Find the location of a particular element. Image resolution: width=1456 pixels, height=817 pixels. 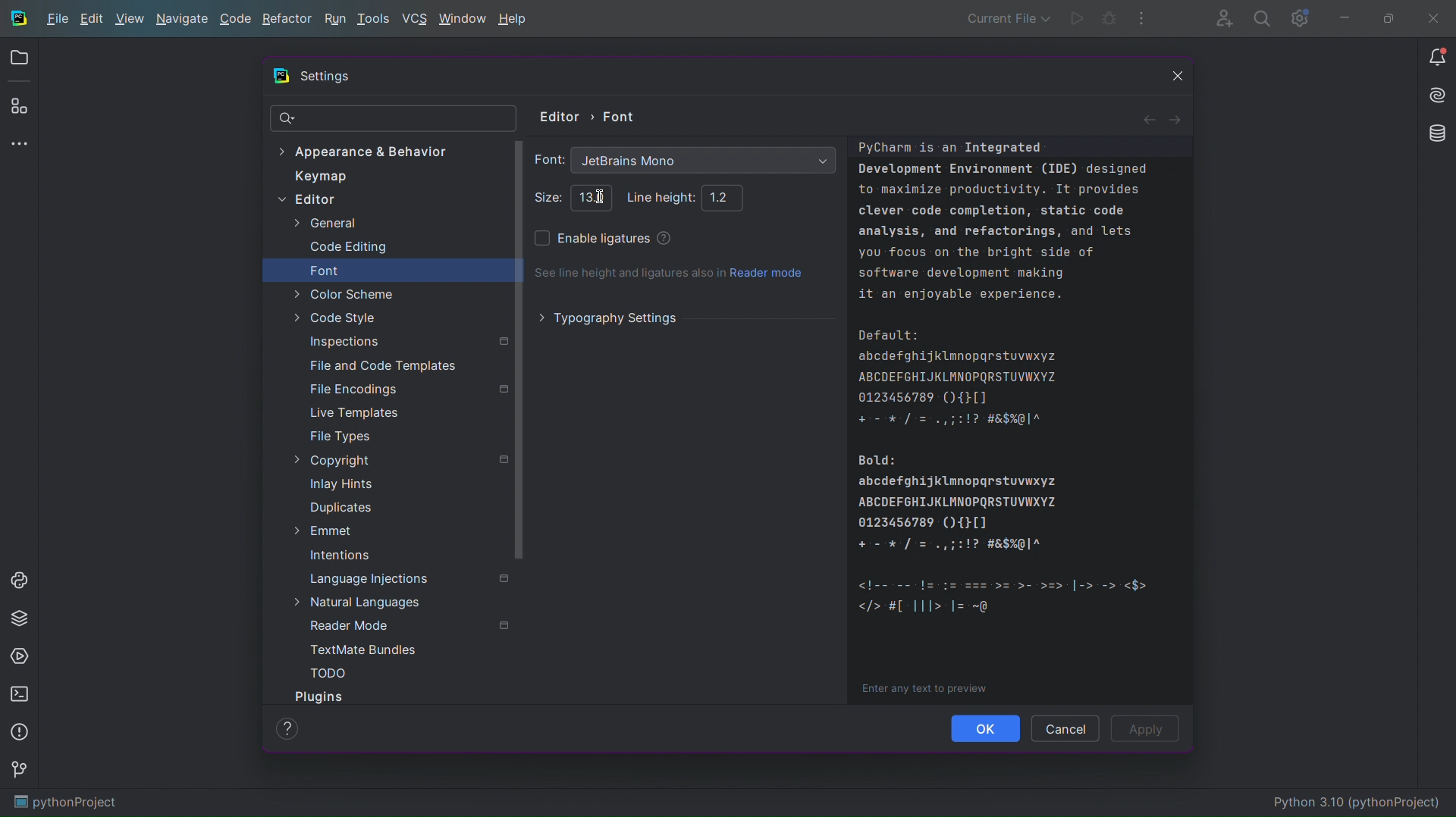

File Types is located at coordinates (340, 437).